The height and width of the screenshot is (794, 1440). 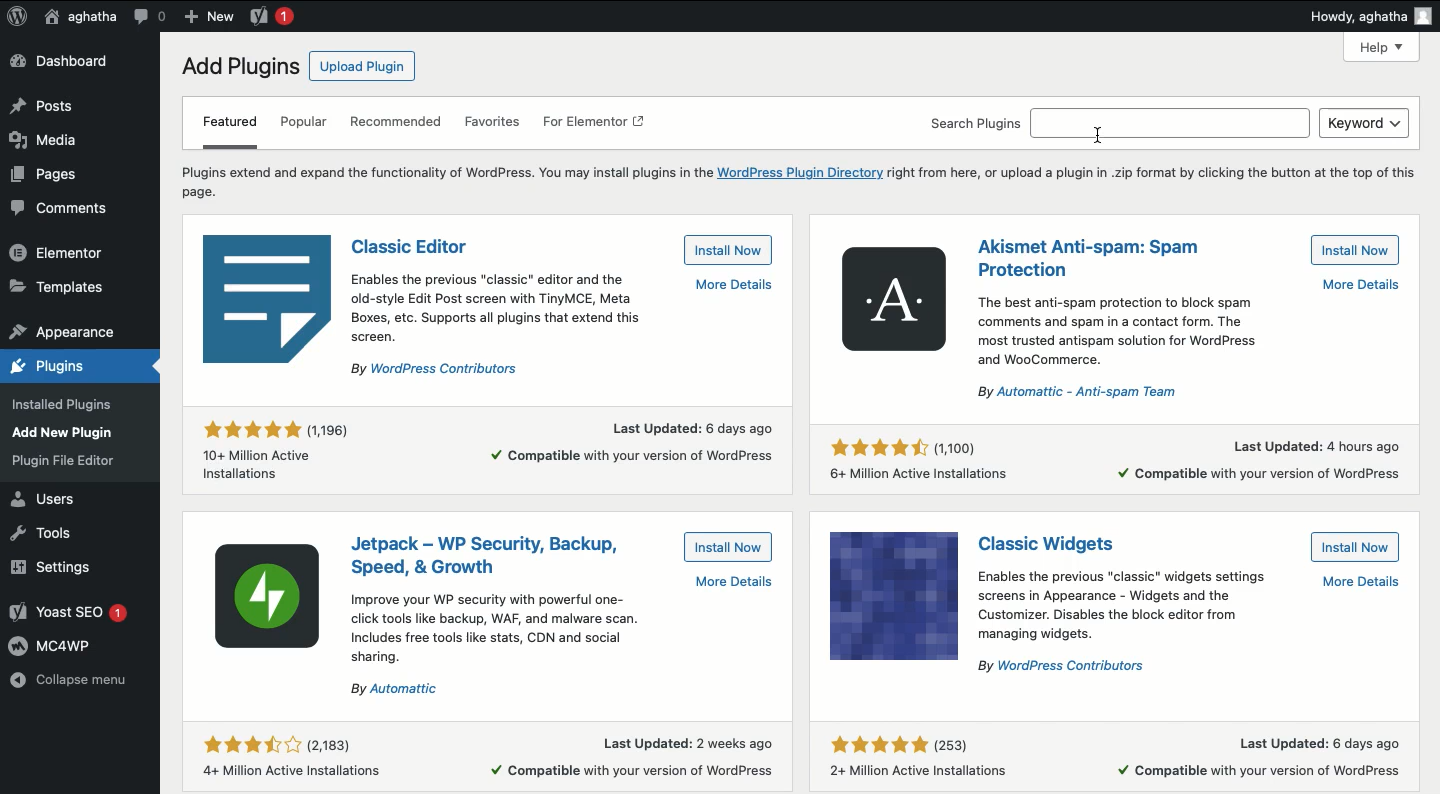 I want to click on Popular, so click(x=305, y=124).